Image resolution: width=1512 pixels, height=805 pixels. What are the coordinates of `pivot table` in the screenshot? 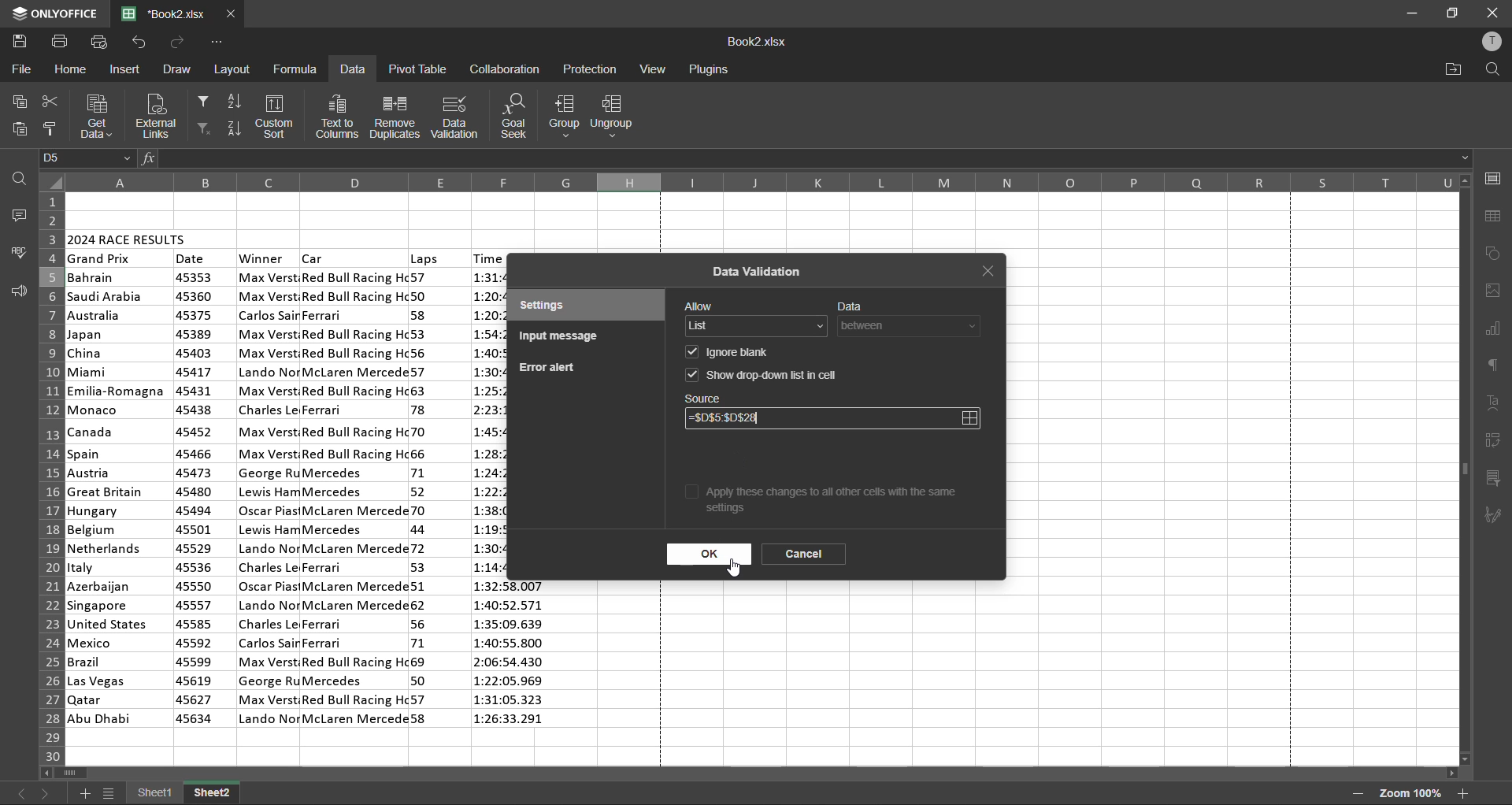 It's located at (1494, 441).